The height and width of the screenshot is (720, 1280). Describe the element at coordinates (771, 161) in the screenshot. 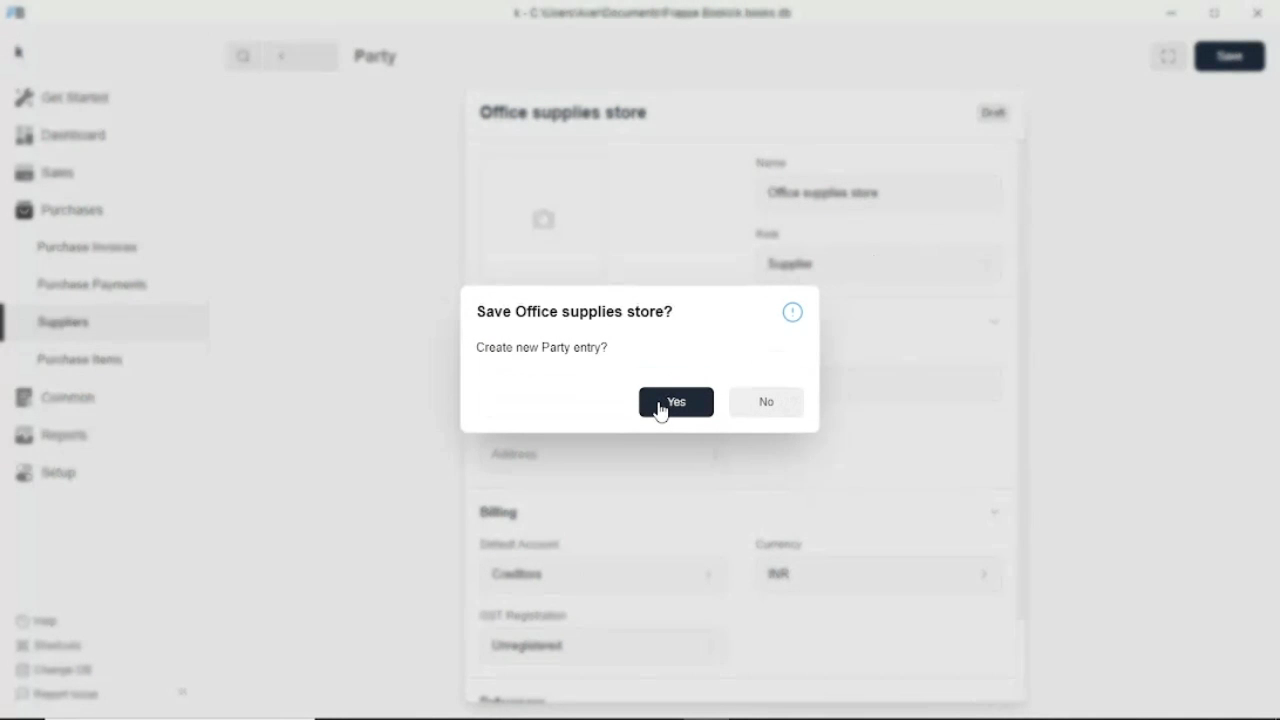

I see `Name` at that location.